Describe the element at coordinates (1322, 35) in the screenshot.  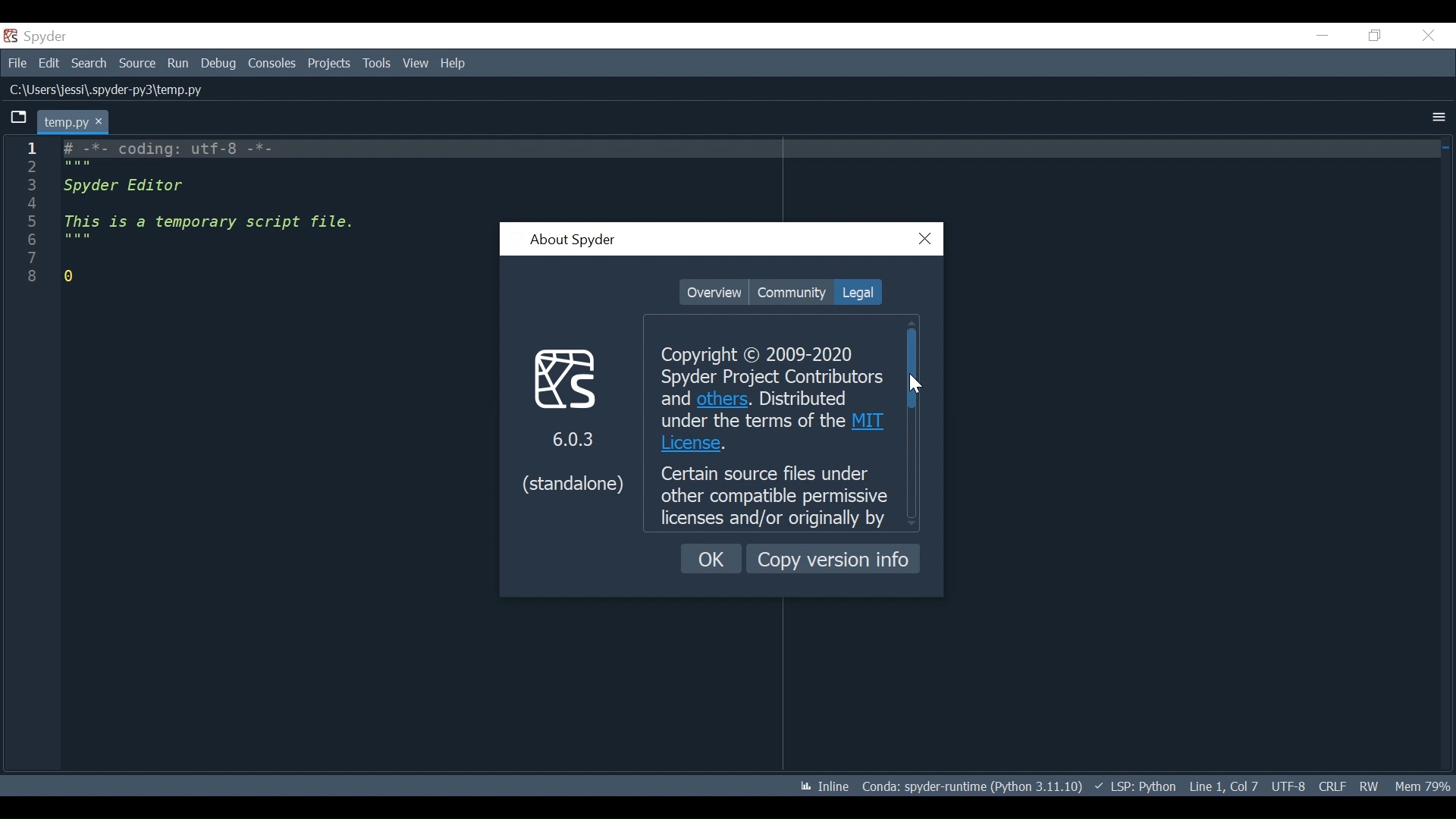
I see `Minimize` at that location.